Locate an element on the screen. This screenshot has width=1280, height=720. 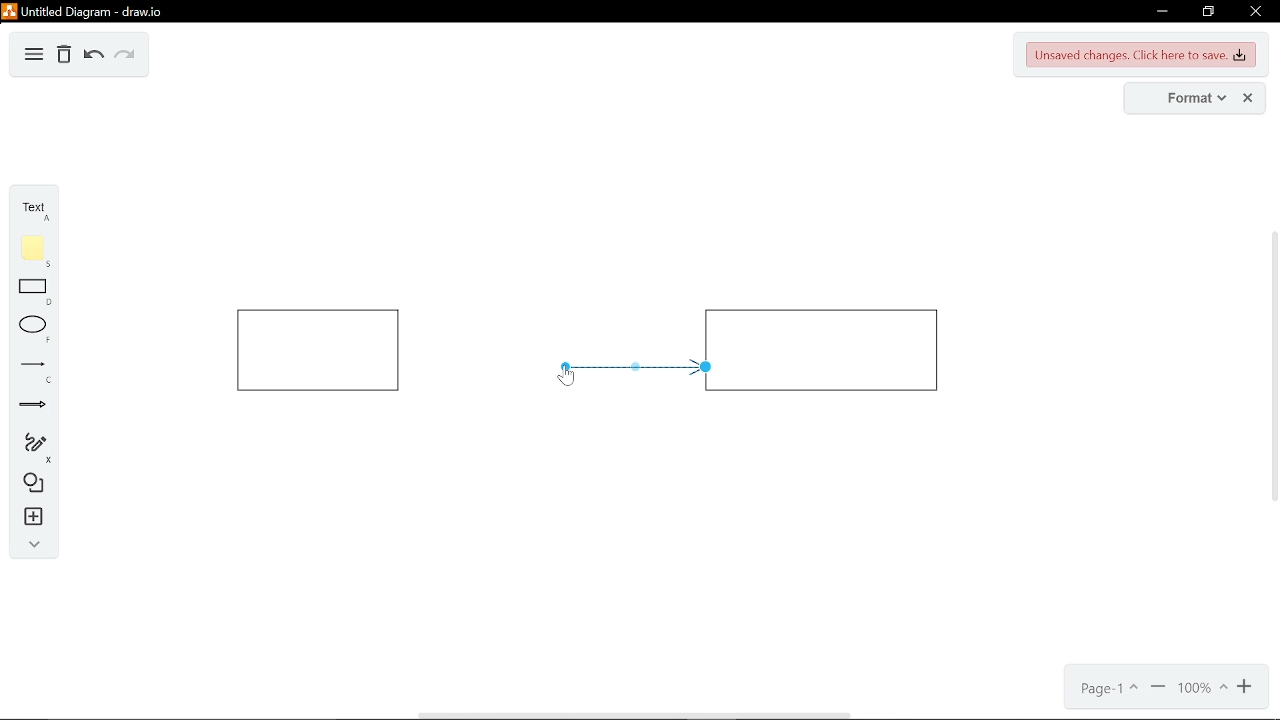
close is located at coordinates (1258, 14).